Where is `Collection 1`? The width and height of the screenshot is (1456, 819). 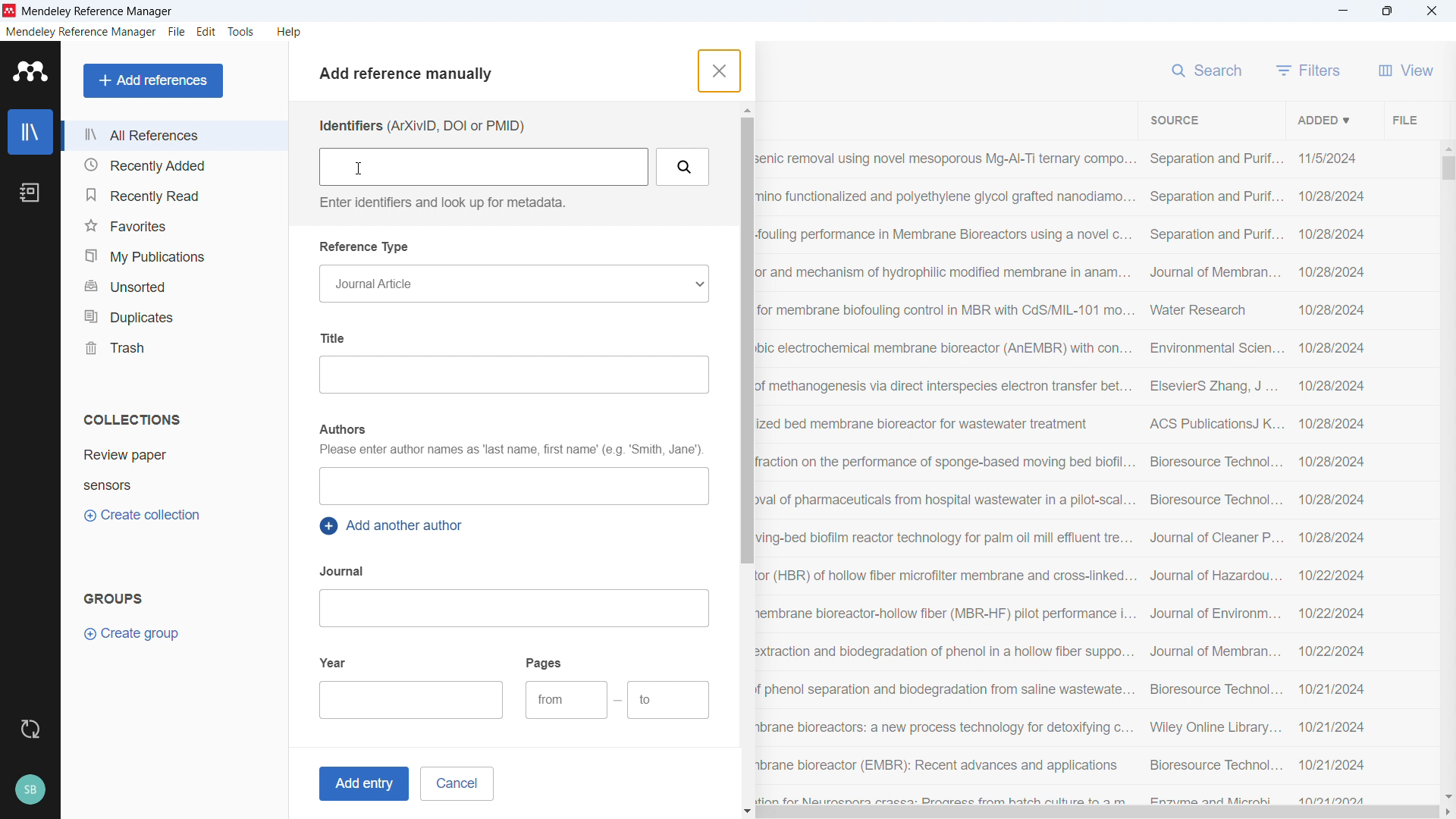 Collection 1 is located at coordinates (176, 455).